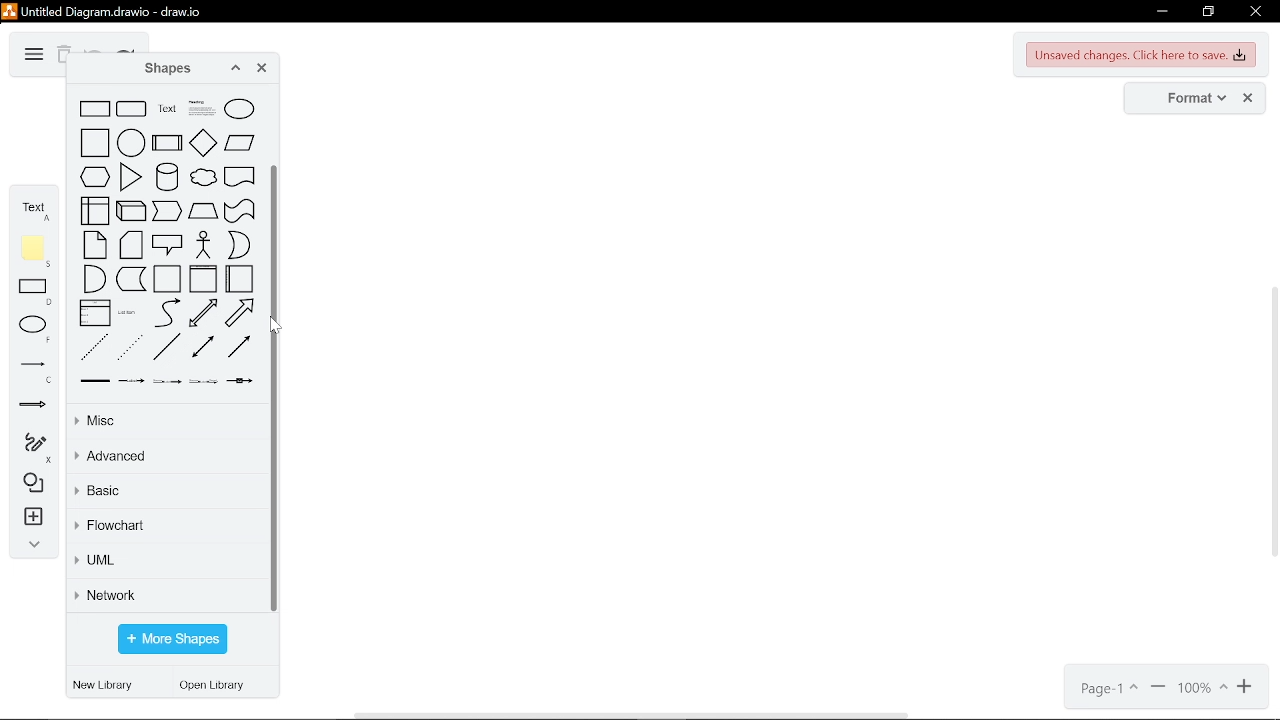 The height and width of the screenshot is (720, 1280). What do you see at coordinates (126, 50) in the screenshot?
I see `redo` at bounding box center [126, 50].